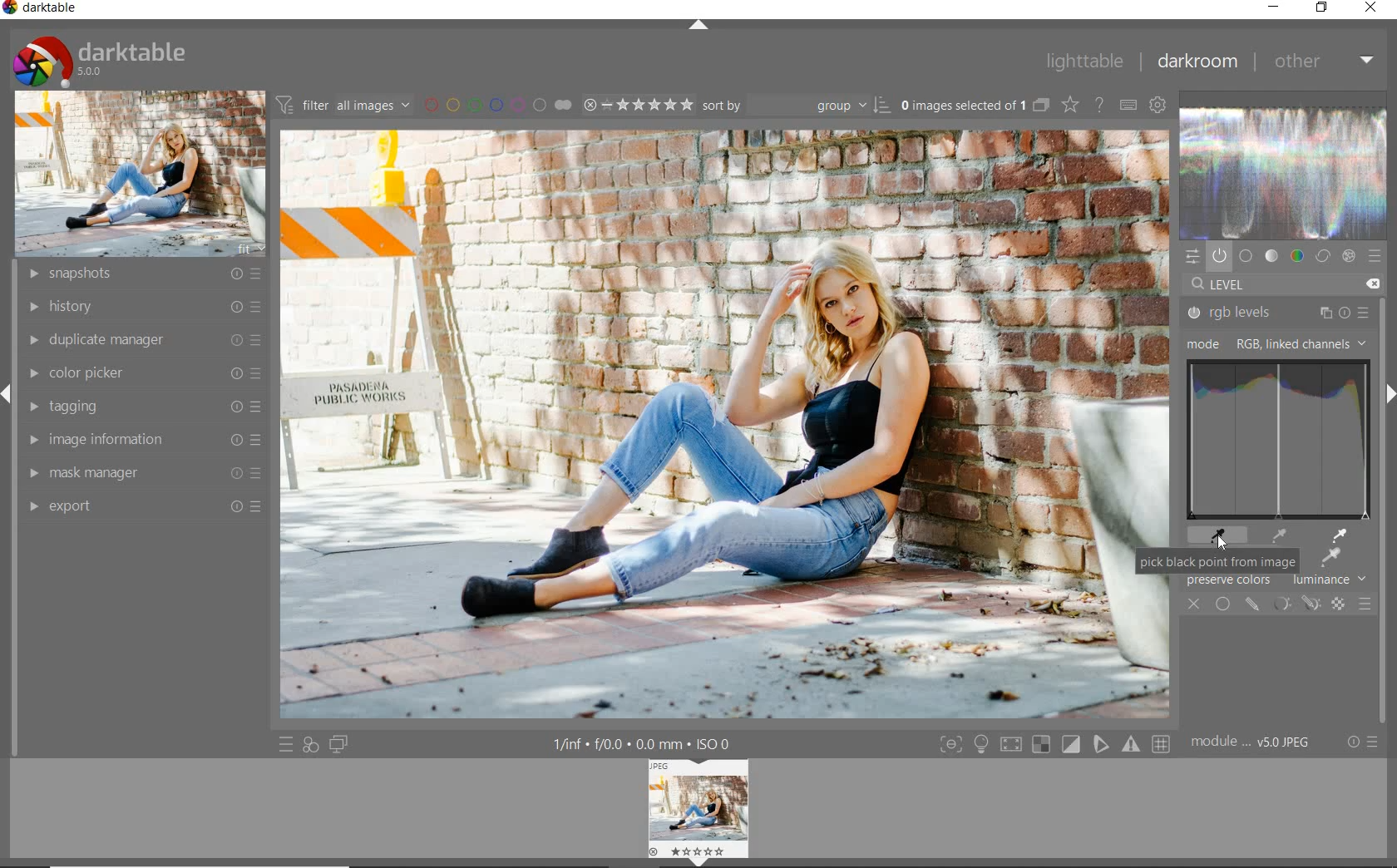 The image size is (1397, 868). What do you see at coordinates (1100, 106) in the screenshot?
I see `enable for online help` at bounding box center [1100, 106].